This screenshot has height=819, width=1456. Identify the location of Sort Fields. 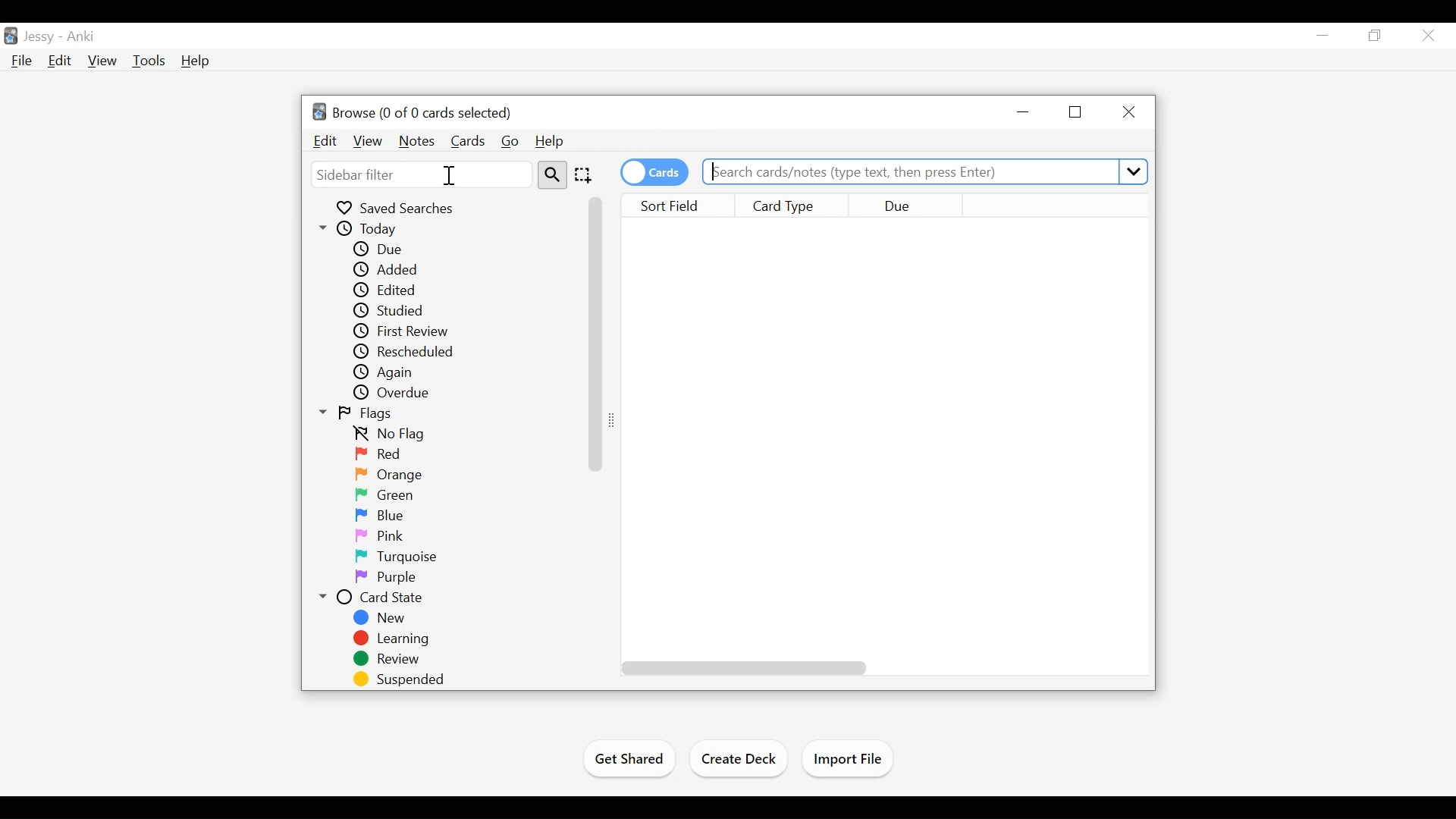
(683, 206).